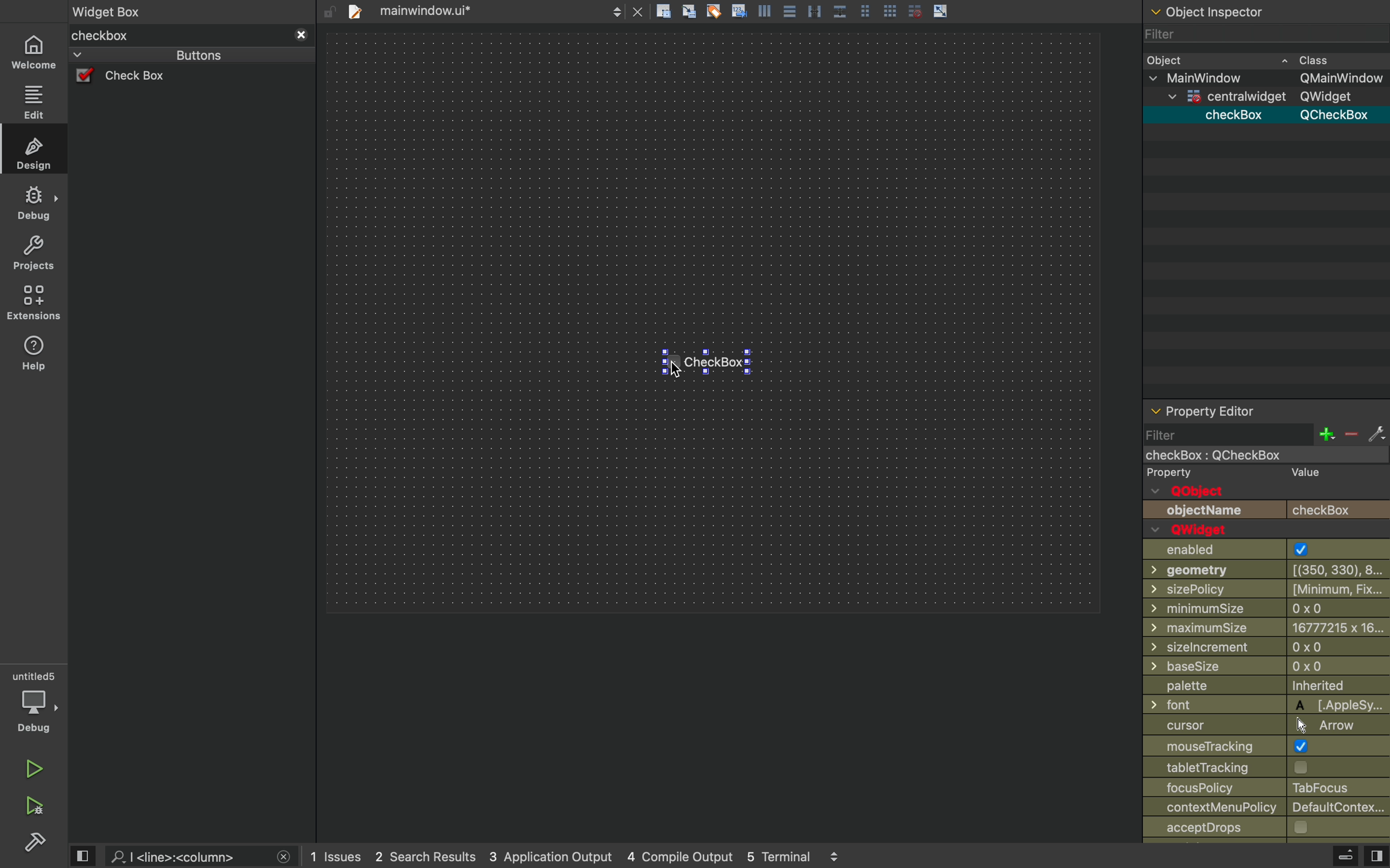 This screenshot has height=868, width=1390. What do you see at coordinates (1246, 828) in the screenshot?
I see `accept drops` at bounding box center [1246, 828].